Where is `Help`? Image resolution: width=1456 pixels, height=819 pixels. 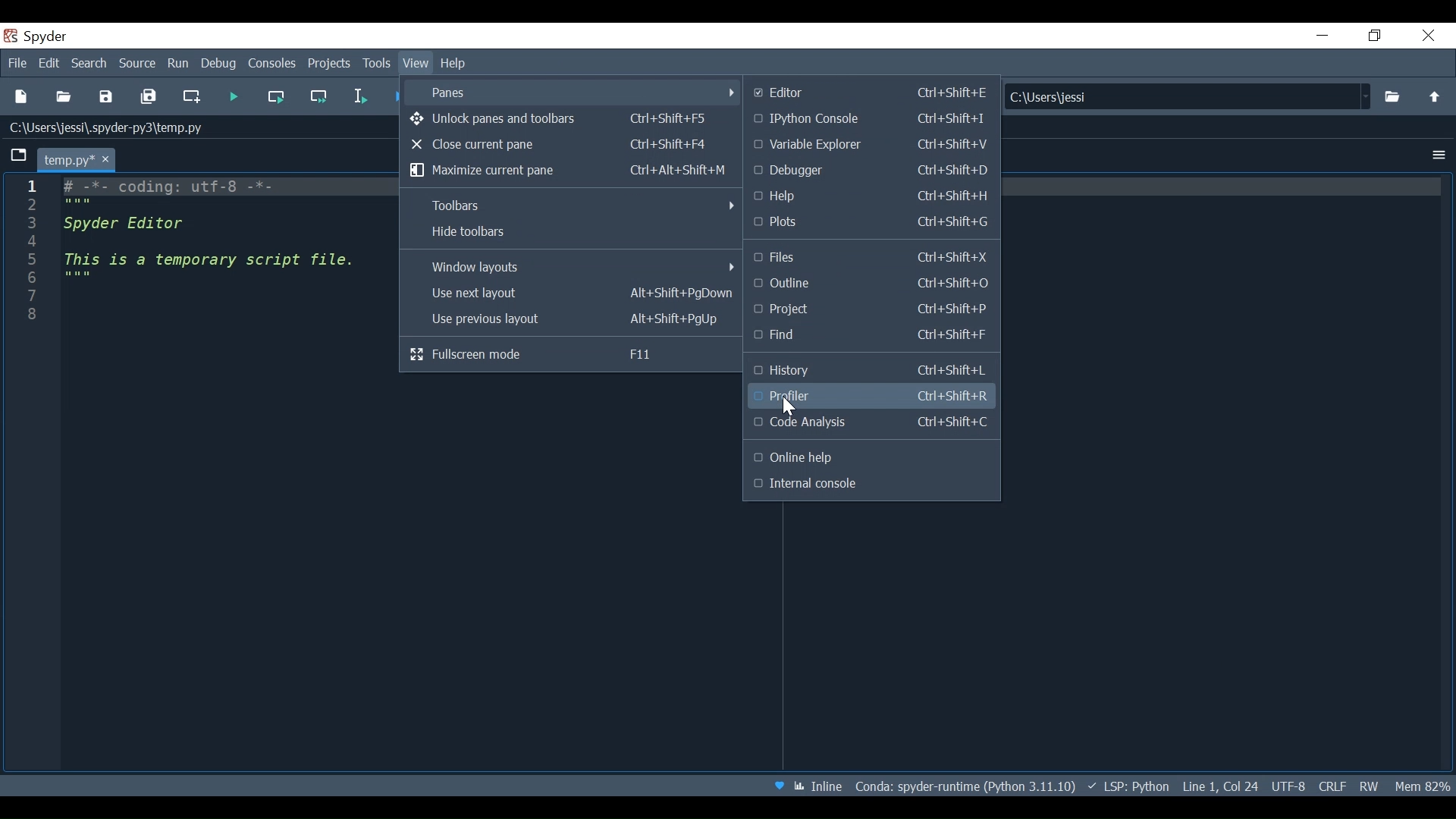
Help is located at coordinates (457, 64).